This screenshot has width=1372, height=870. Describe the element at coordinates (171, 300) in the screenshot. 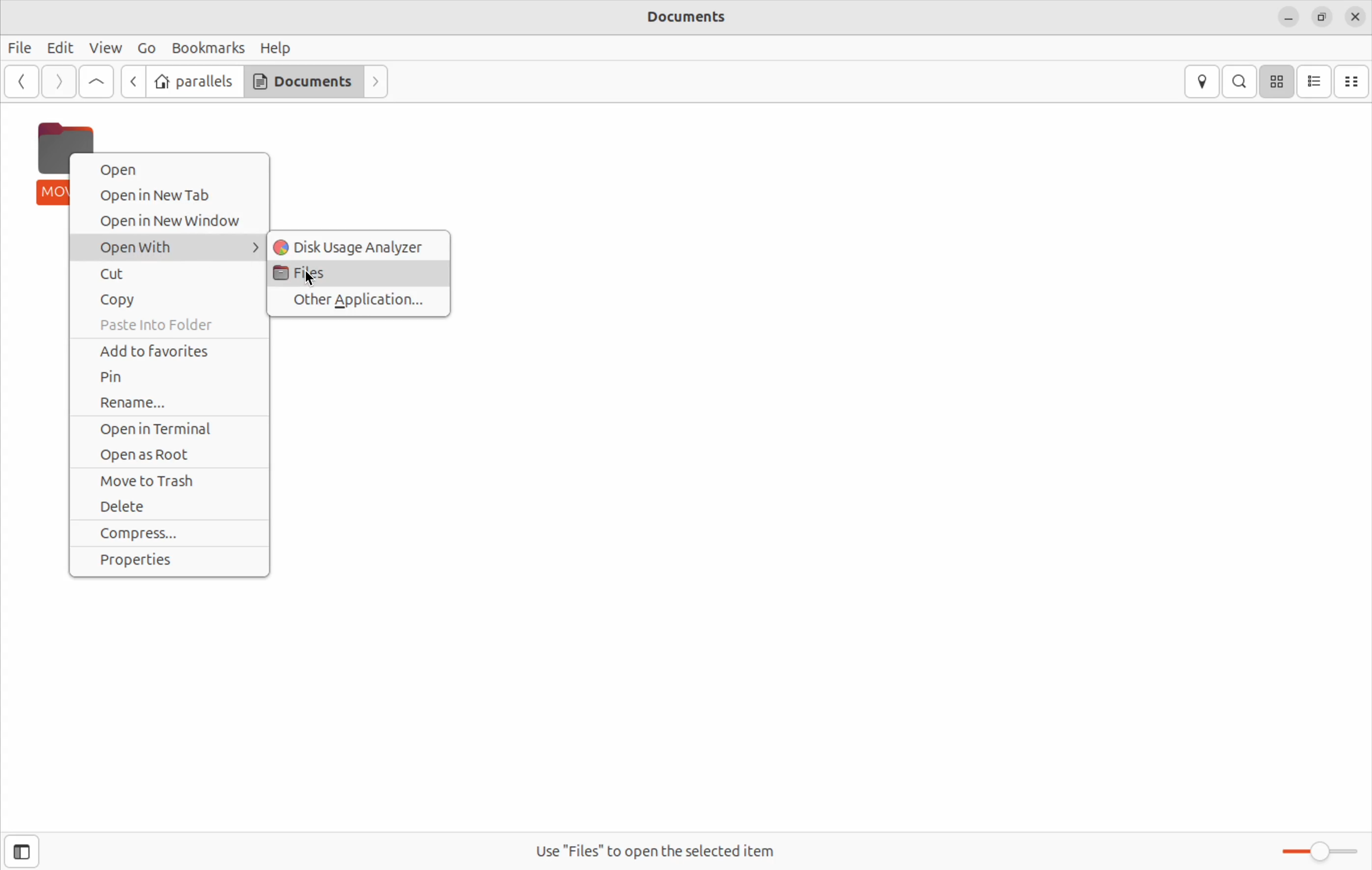

I see `Copy` at that location.